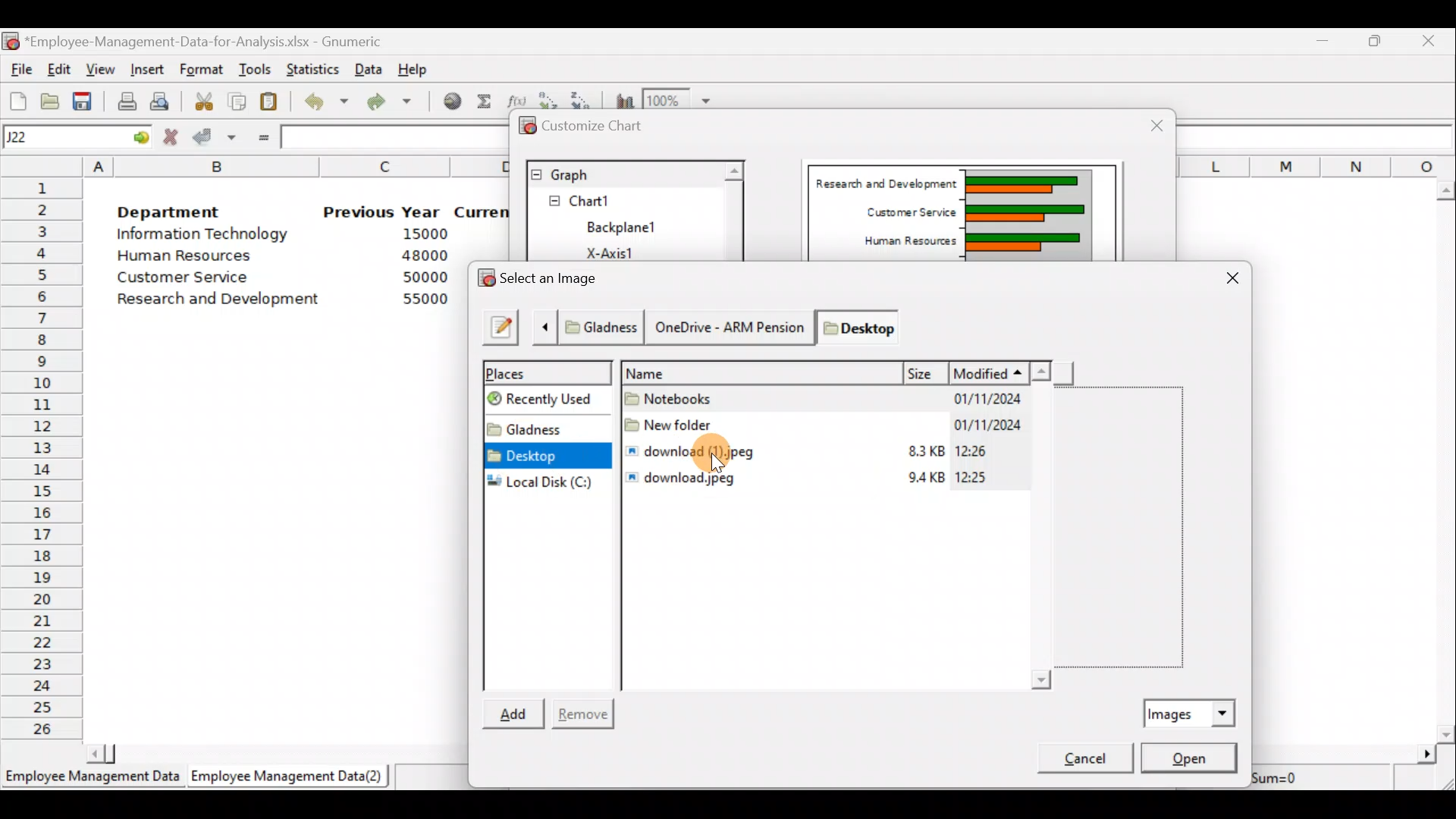 The width and height of the screenshot is (1456, 819). Describe the element at coordinates (1191, 711) in the screenshot. I see `Images` at that location.